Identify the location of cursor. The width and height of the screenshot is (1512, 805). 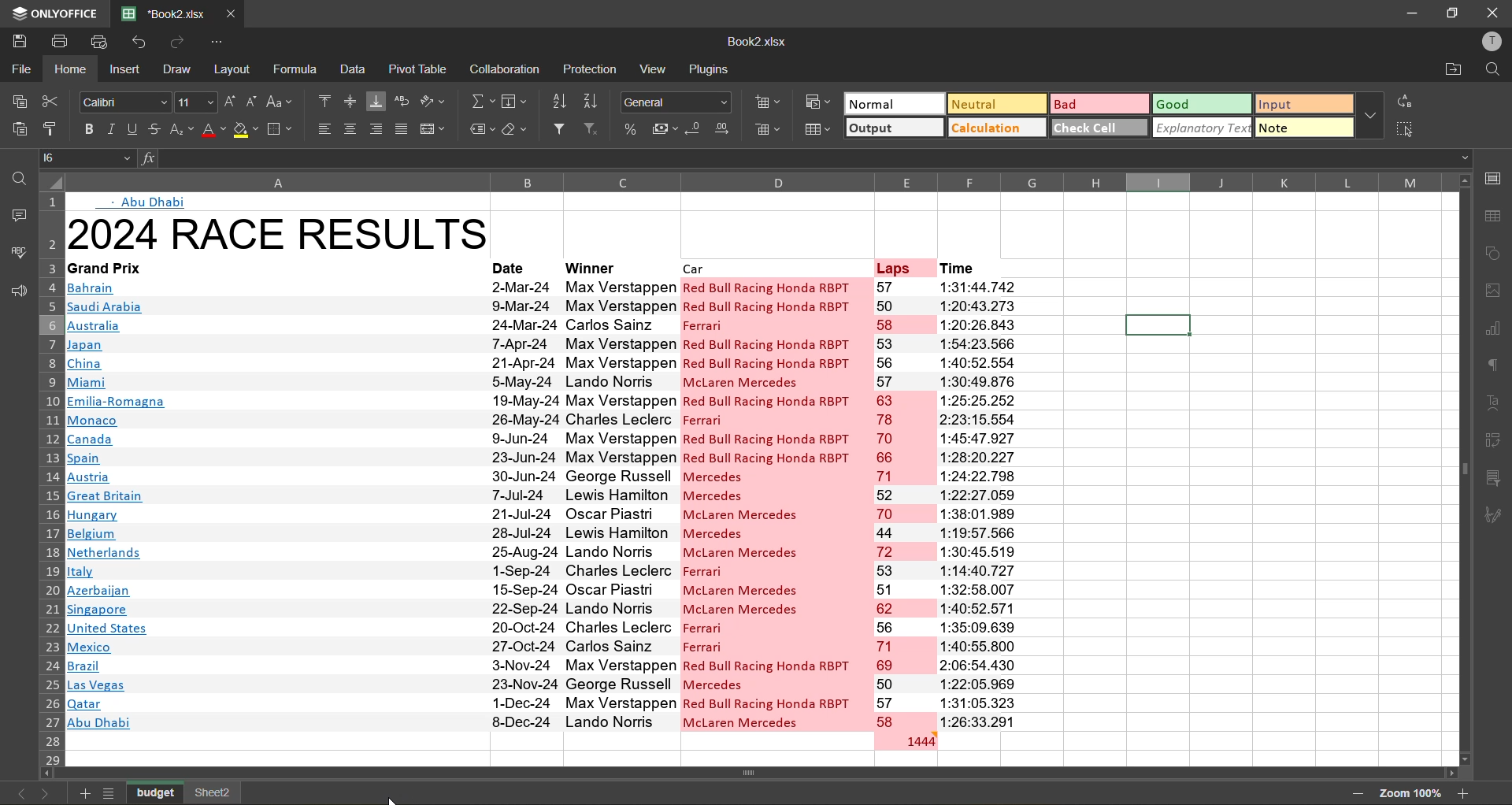
(394, 799).